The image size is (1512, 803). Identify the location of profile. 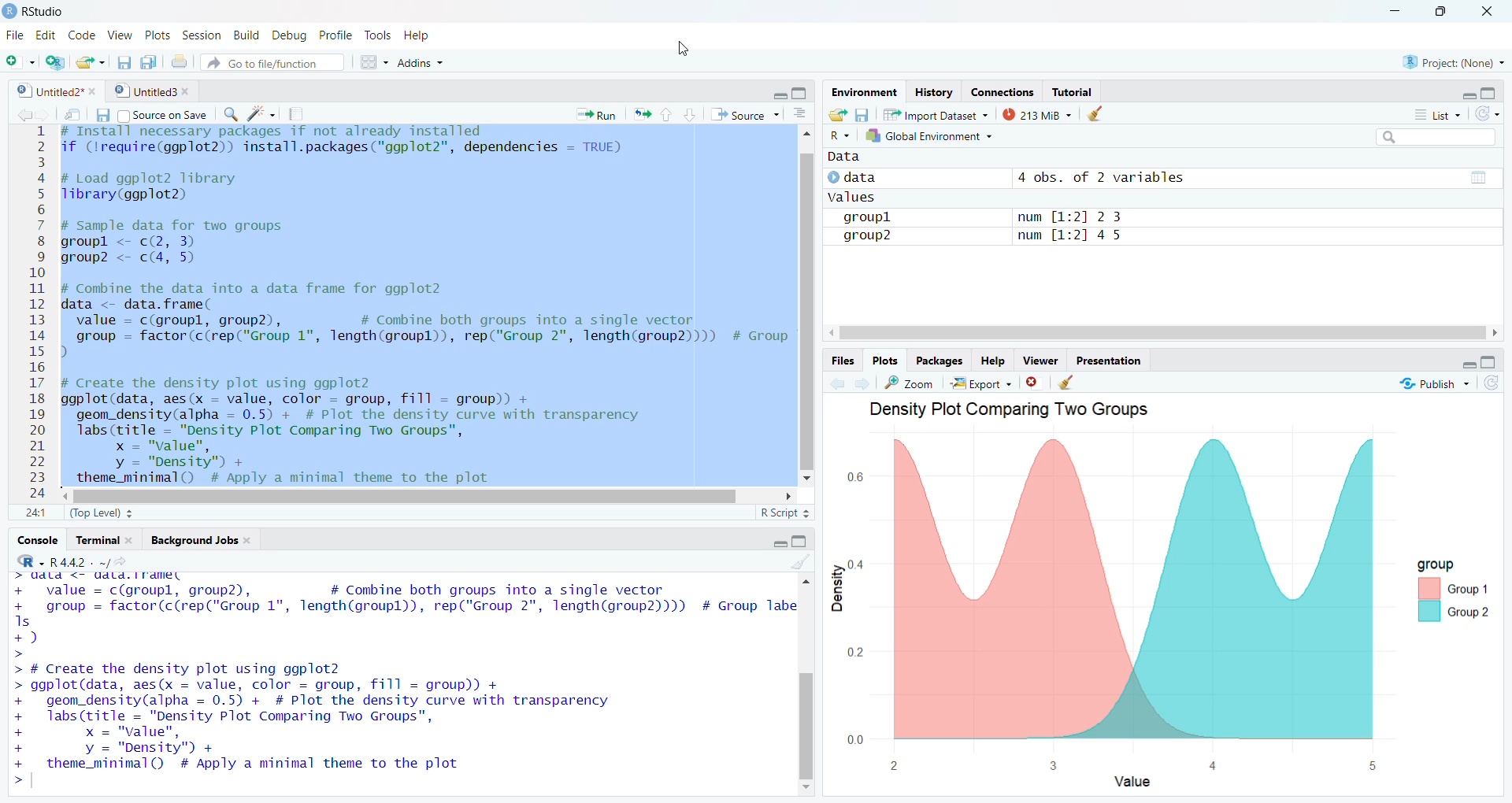
(335, 35).